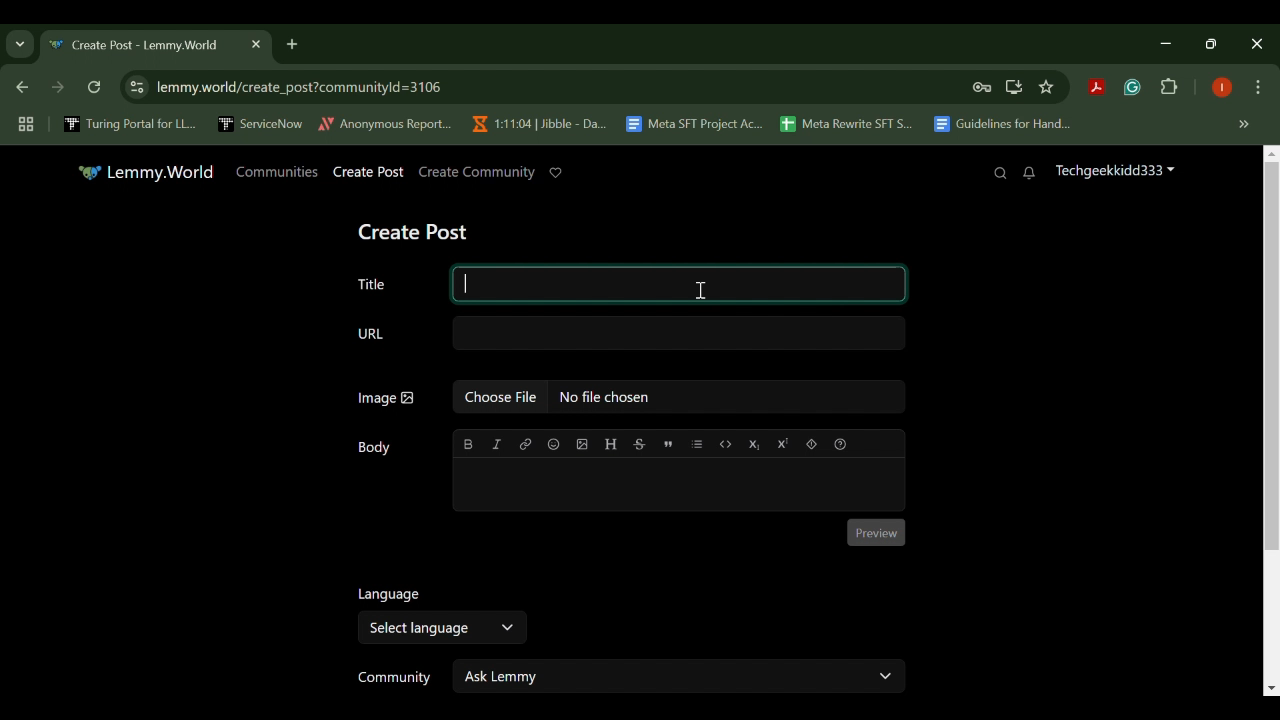 The height and width of the screenshot is (720, 1280). I want to click on Notifications, so click(1030, 174).